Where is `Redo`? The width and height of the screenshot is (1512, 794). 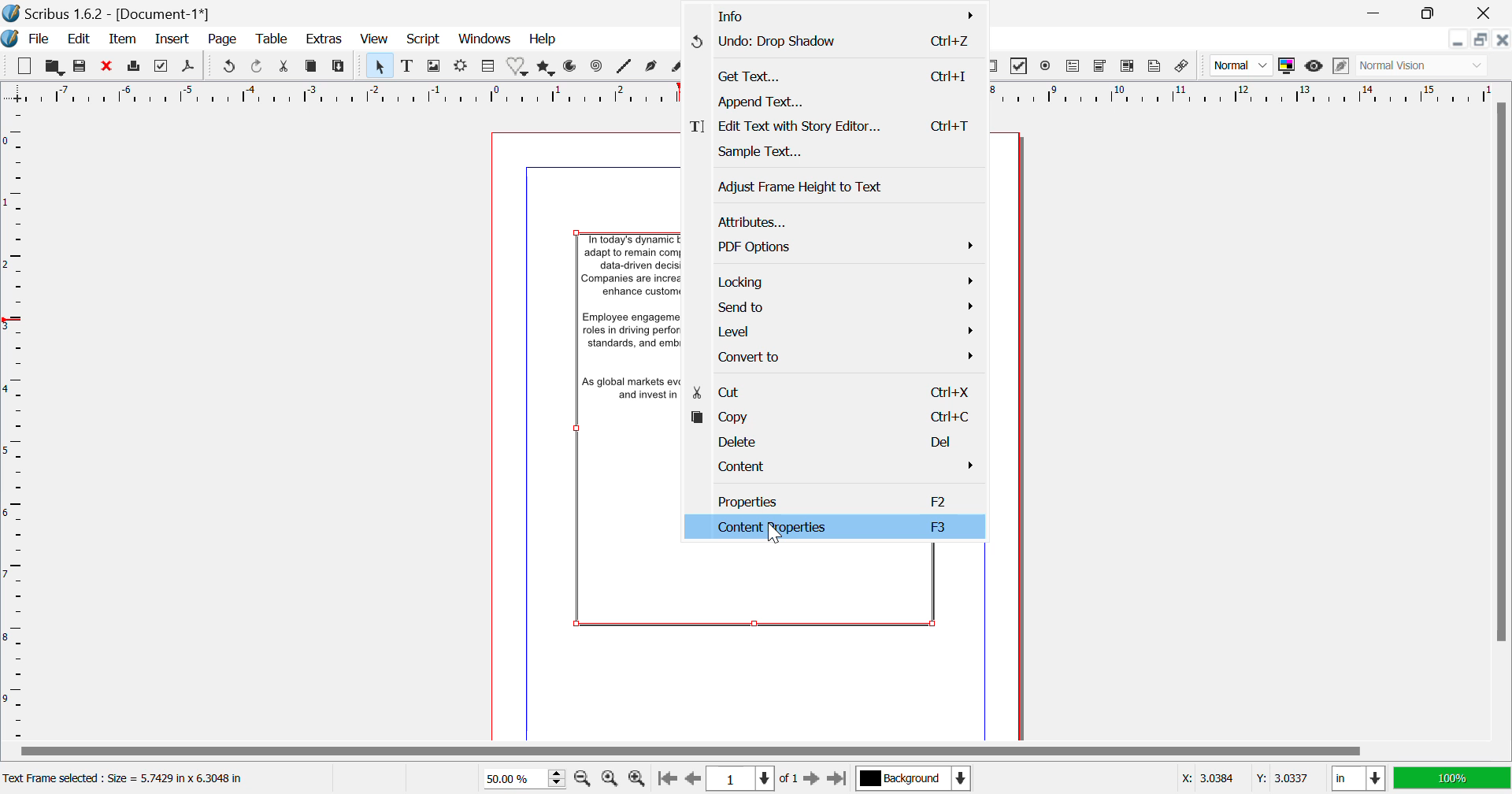 Redo is located at coordinates (232, 66).